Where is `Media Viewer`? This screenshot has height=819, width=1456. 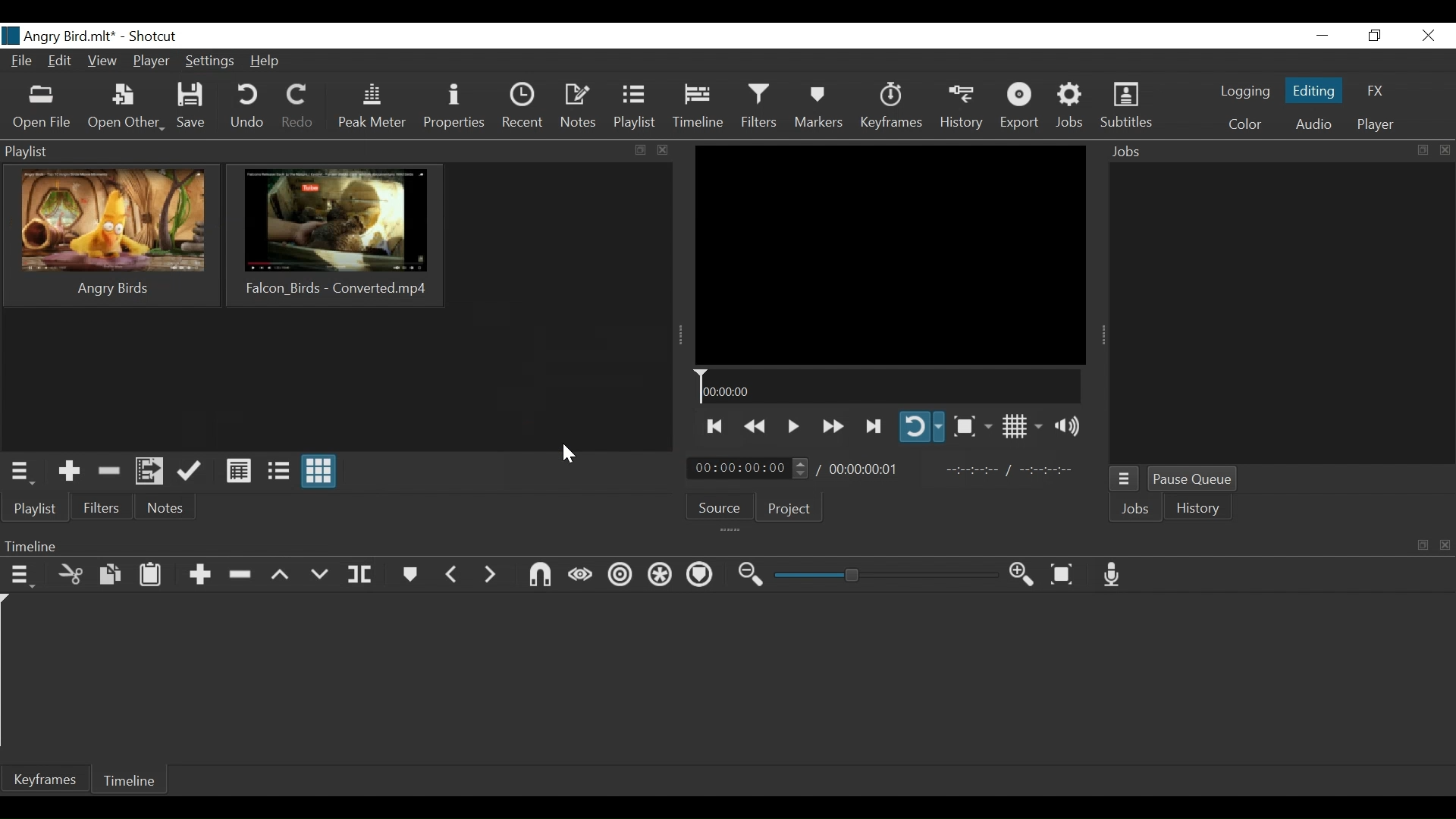 Media Viewer is located at coordinates (891, 254).